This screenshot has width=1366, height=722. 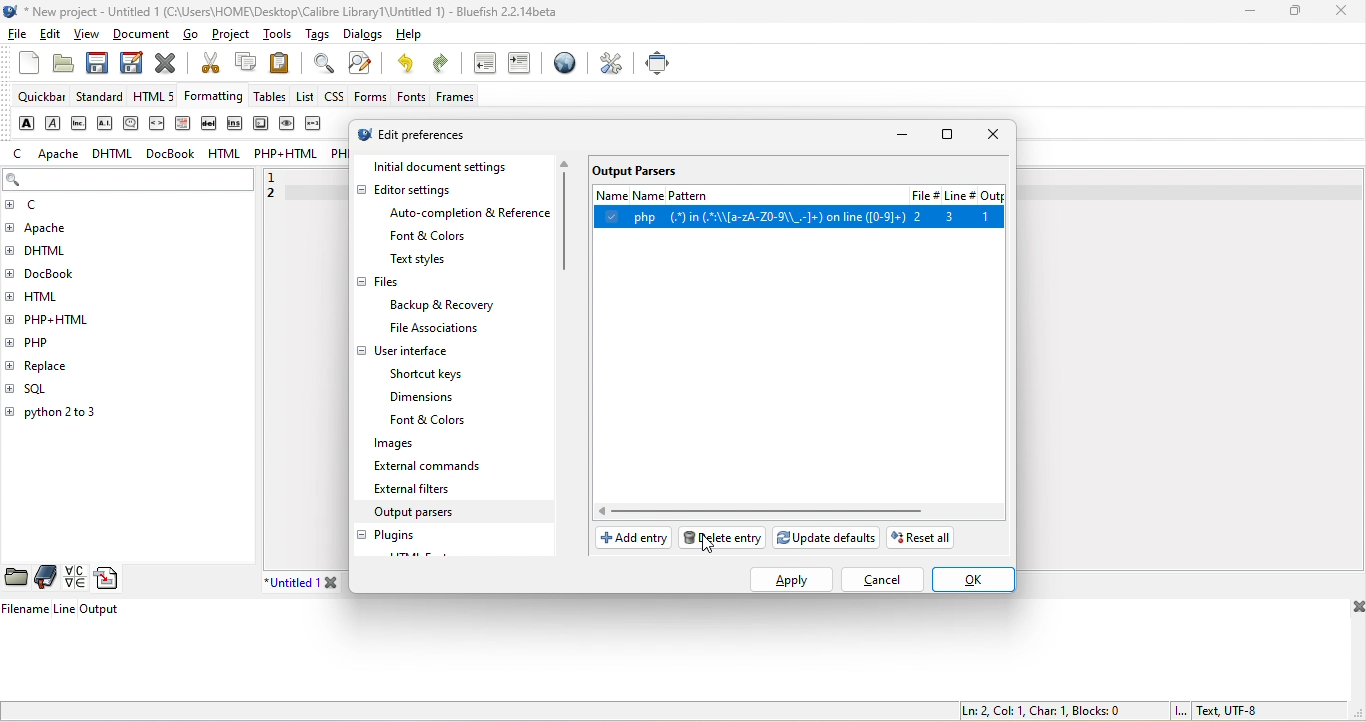 I want to click on File, so click(x=922, y=194).